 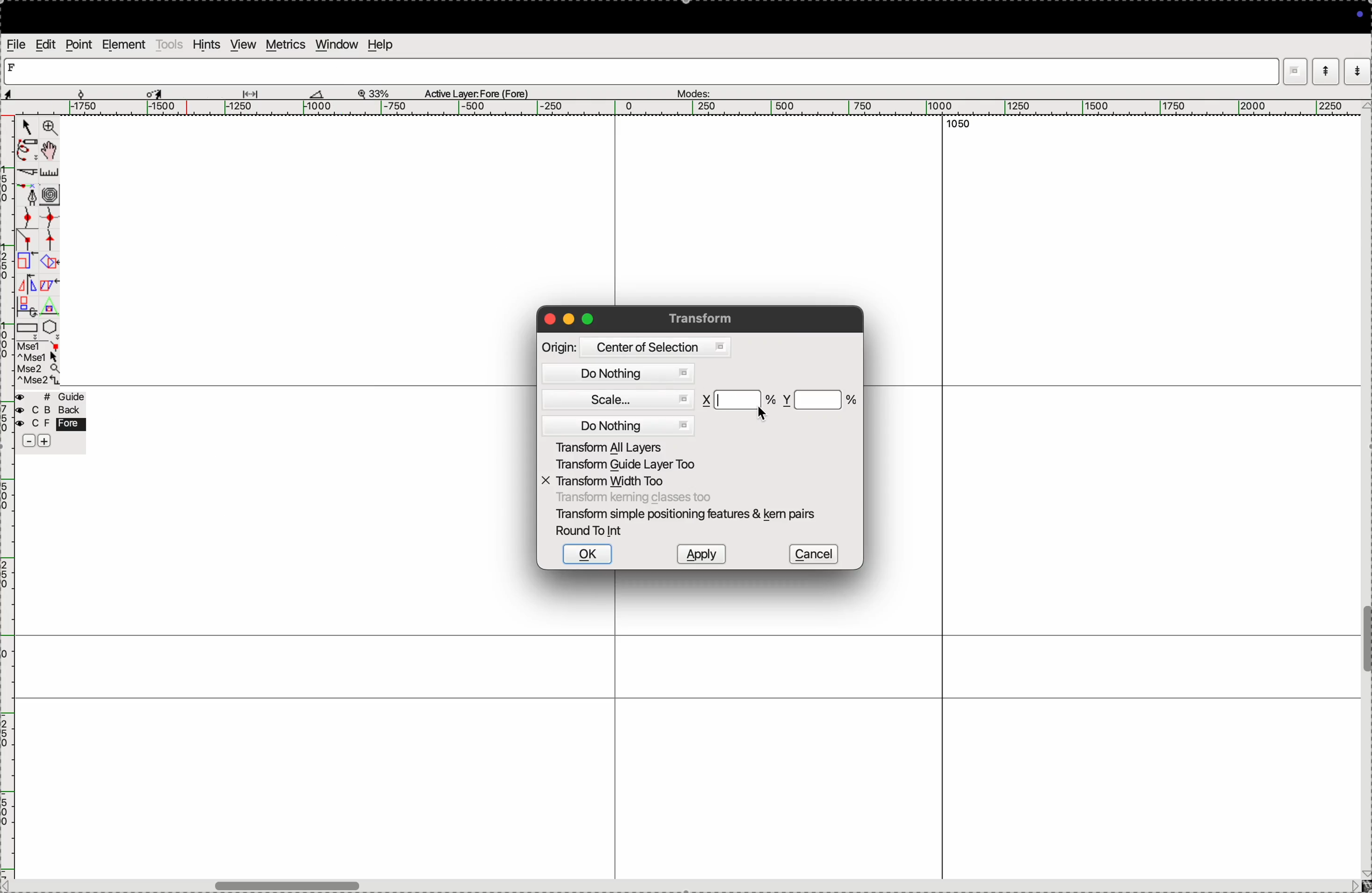 I want to click on fore, so click(x=52, y=425).